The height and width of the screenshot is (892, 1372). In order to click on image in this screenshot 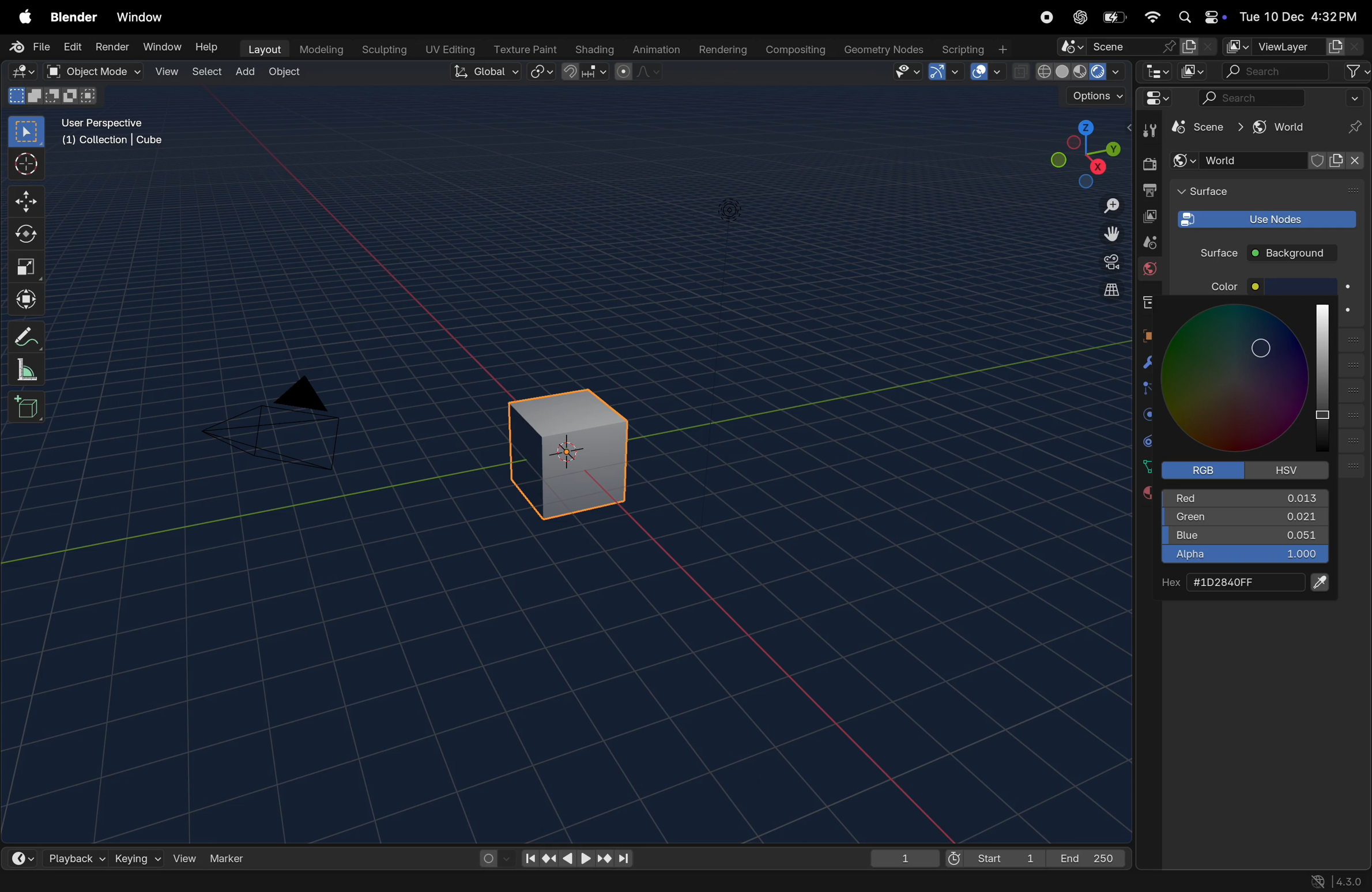, I will do `click(1195, 71)`.